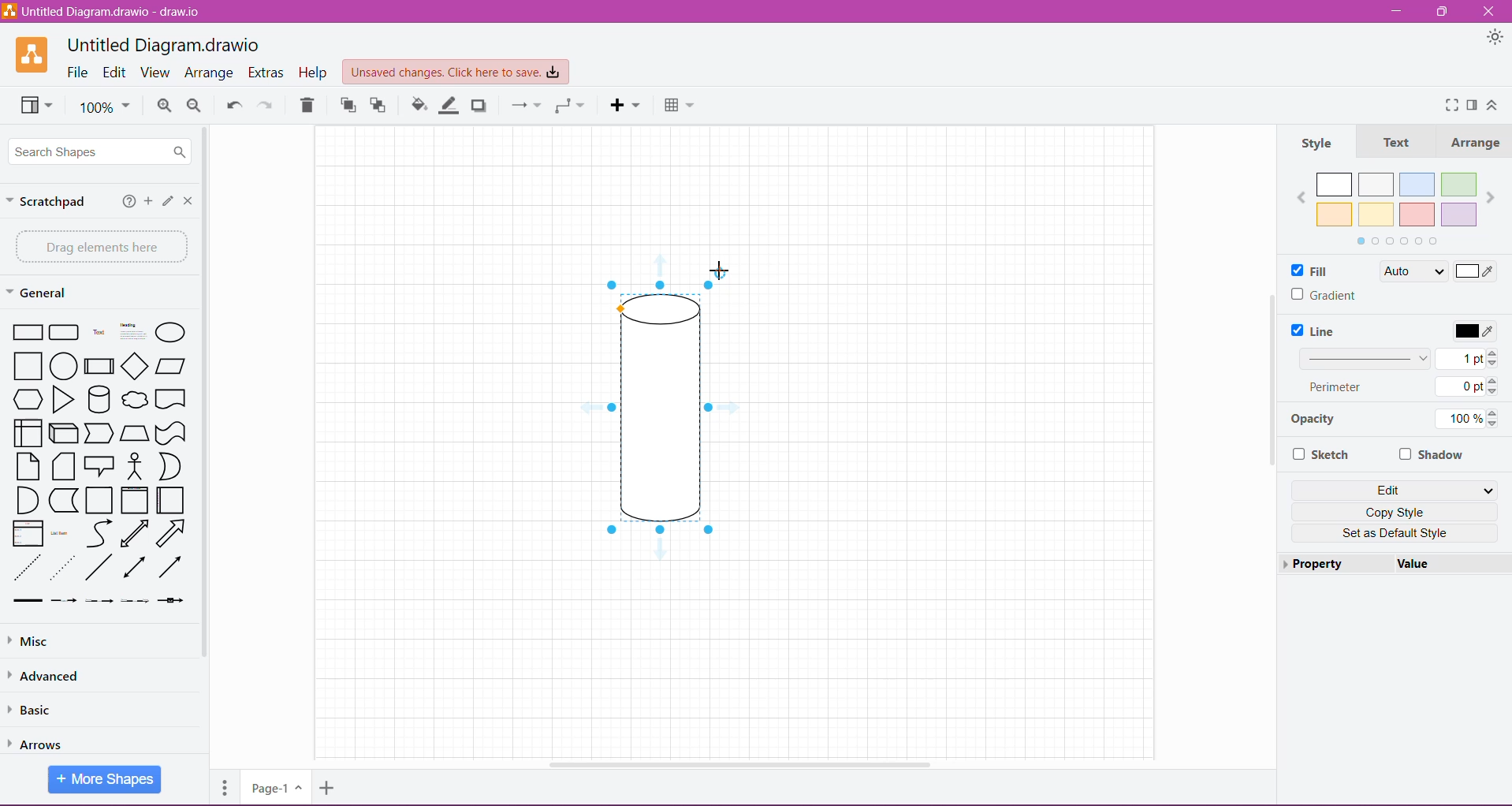  What do you see at coordinates (114, 72) in the screenshot?
I see `Edit` at bounding box center [114, 72].